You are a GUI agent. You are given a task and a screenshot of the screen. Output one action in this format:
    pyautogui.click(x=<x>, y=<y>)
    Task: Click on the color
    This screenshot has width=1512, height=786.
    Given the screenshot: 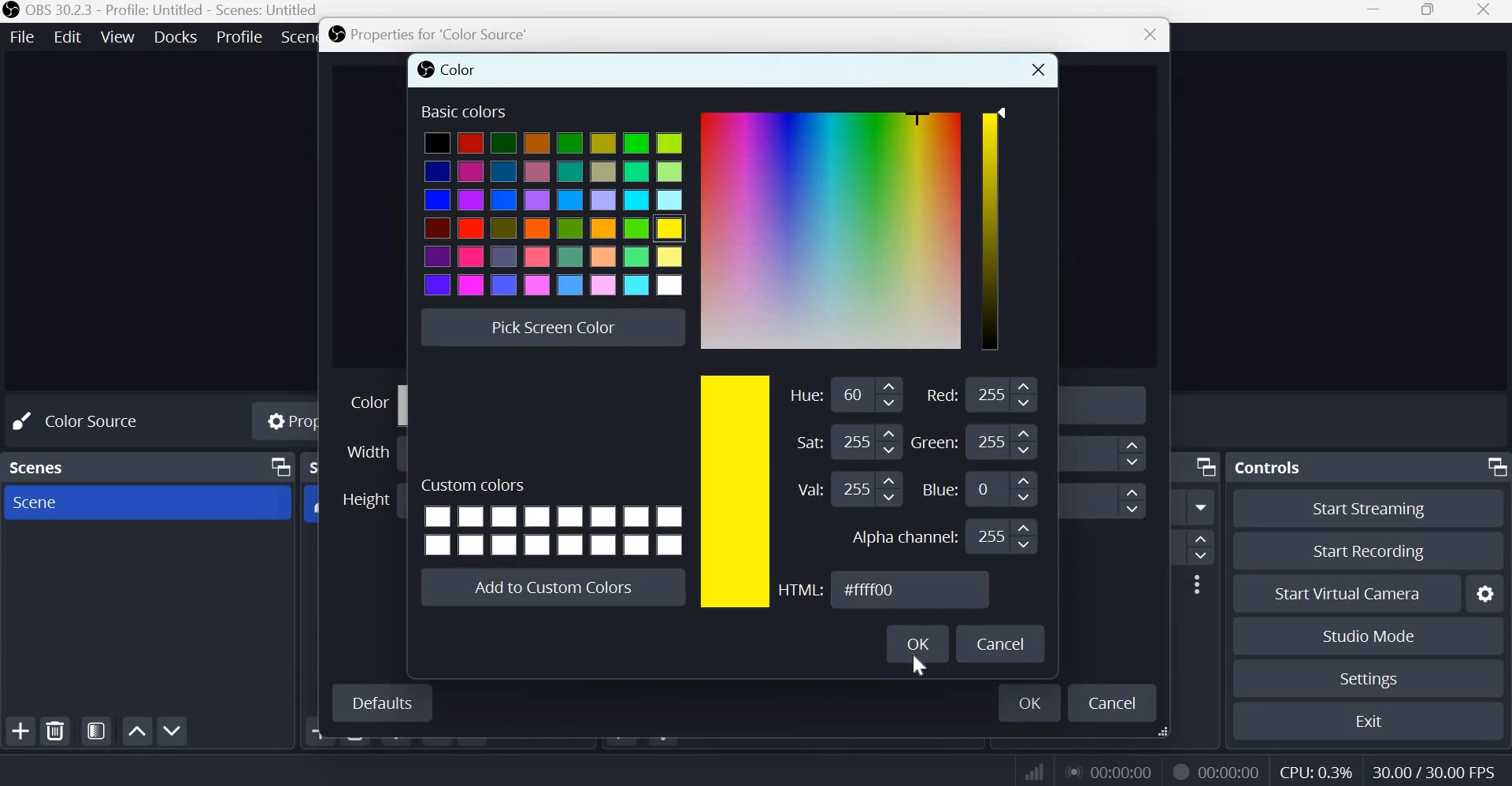 What is the action you would take?
    pyautogui.click(x=450, y=70)
    